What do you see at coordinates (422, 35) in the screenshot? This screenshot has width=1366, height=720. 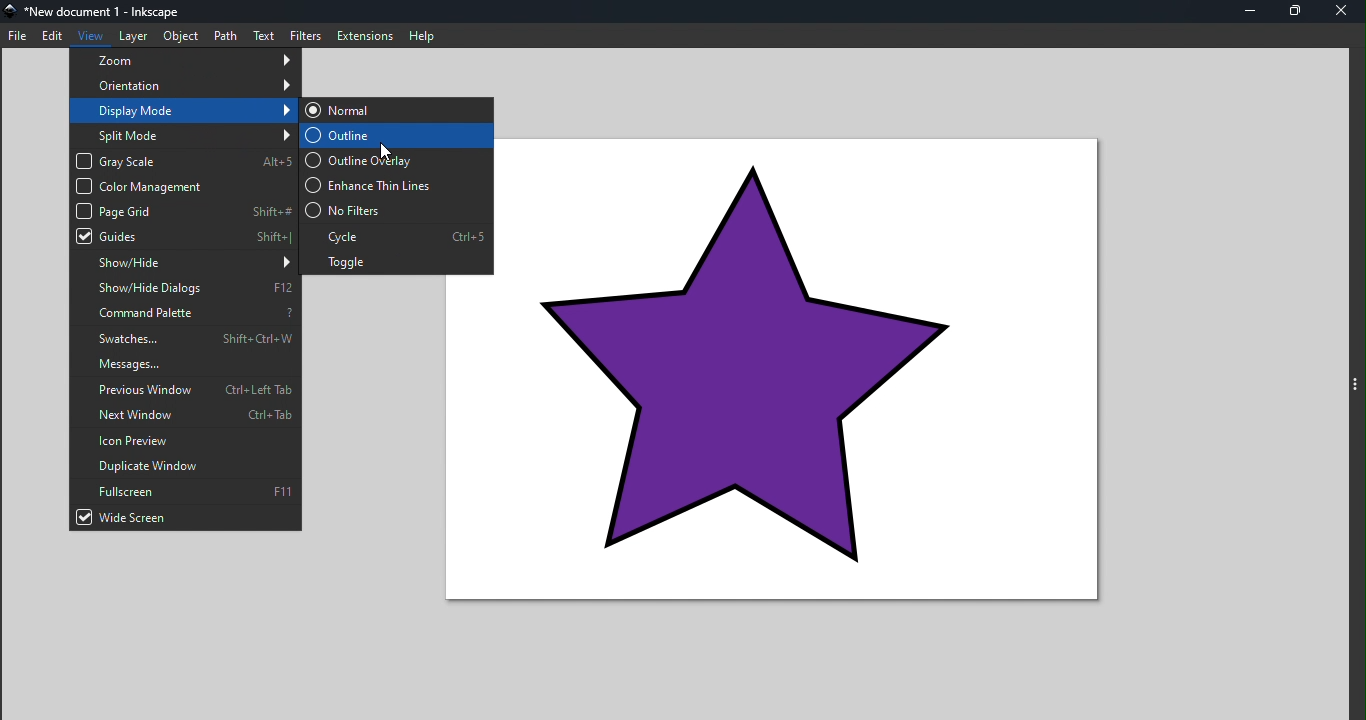 I see `Help` at bounding box center [422, 35].